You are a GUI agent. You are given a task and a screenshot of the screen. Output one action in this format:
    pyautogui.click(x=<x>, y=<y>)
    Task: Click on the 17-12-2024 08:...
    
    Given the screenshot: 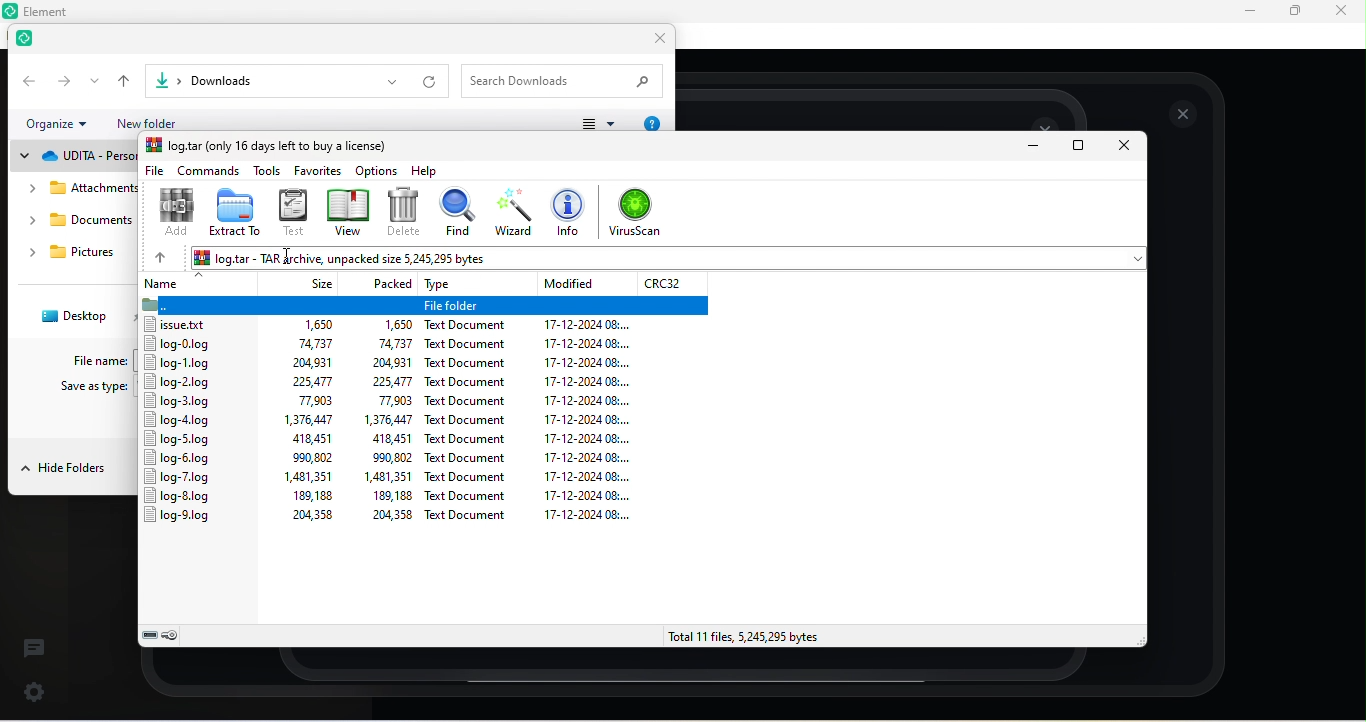 What is the action you would take?
    pyautogui.click(x=592, y=363)
    